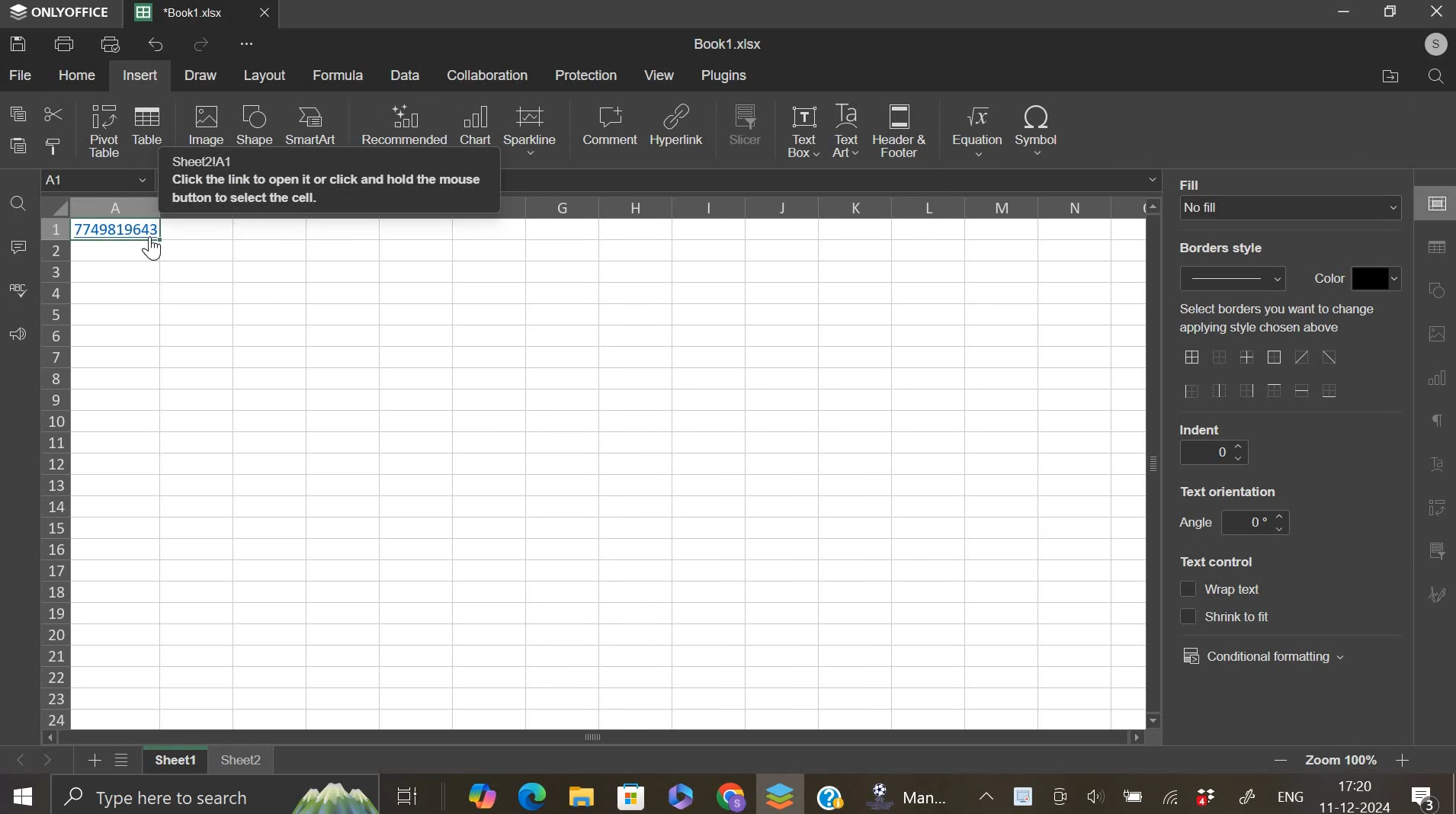 This screenshot has height=814, width=1456. Describe the element at coordinates (93, 758) in the screenshot. I see `add new sheet` at that location.